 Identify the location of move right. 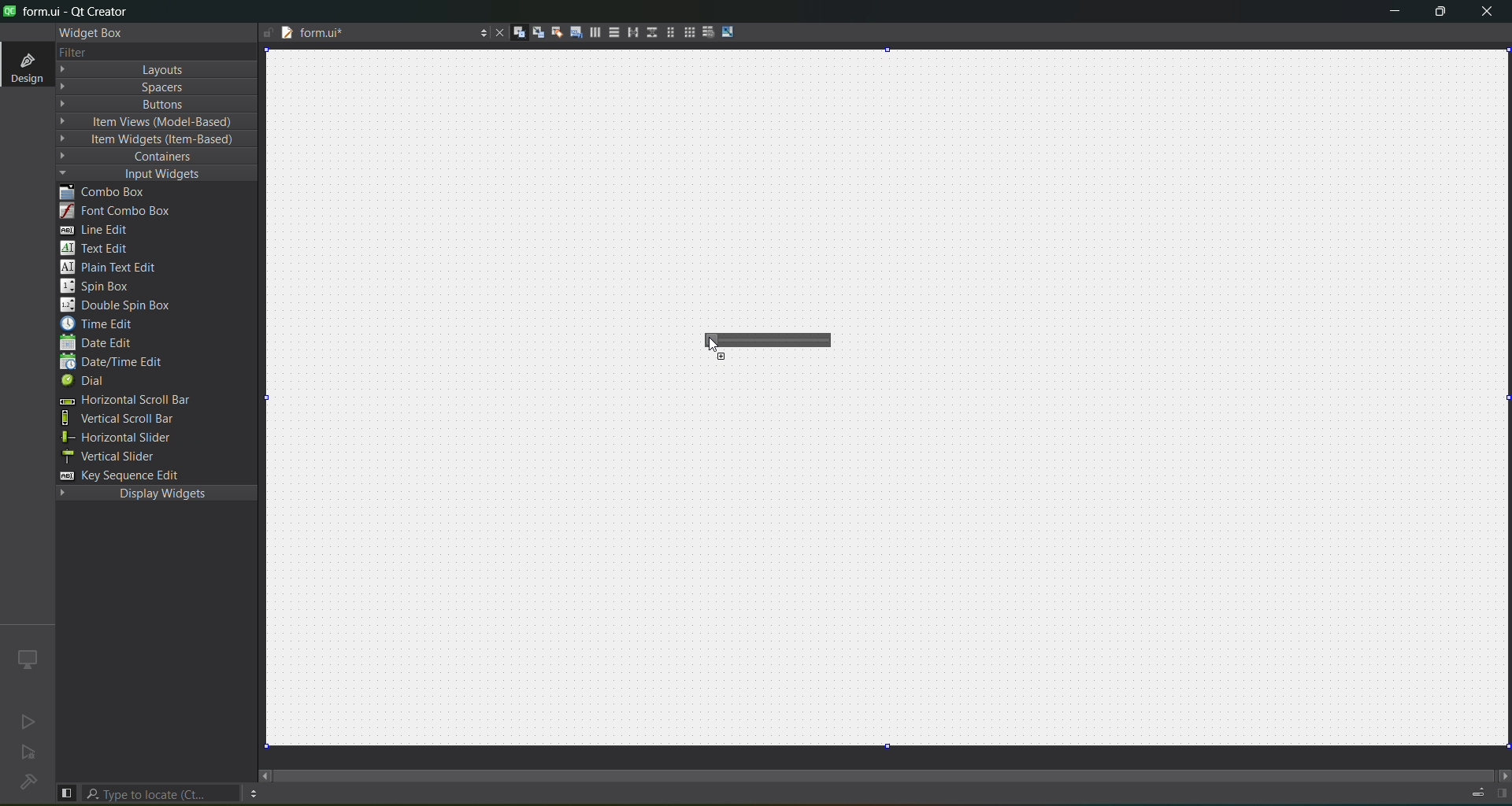
(265, 775).